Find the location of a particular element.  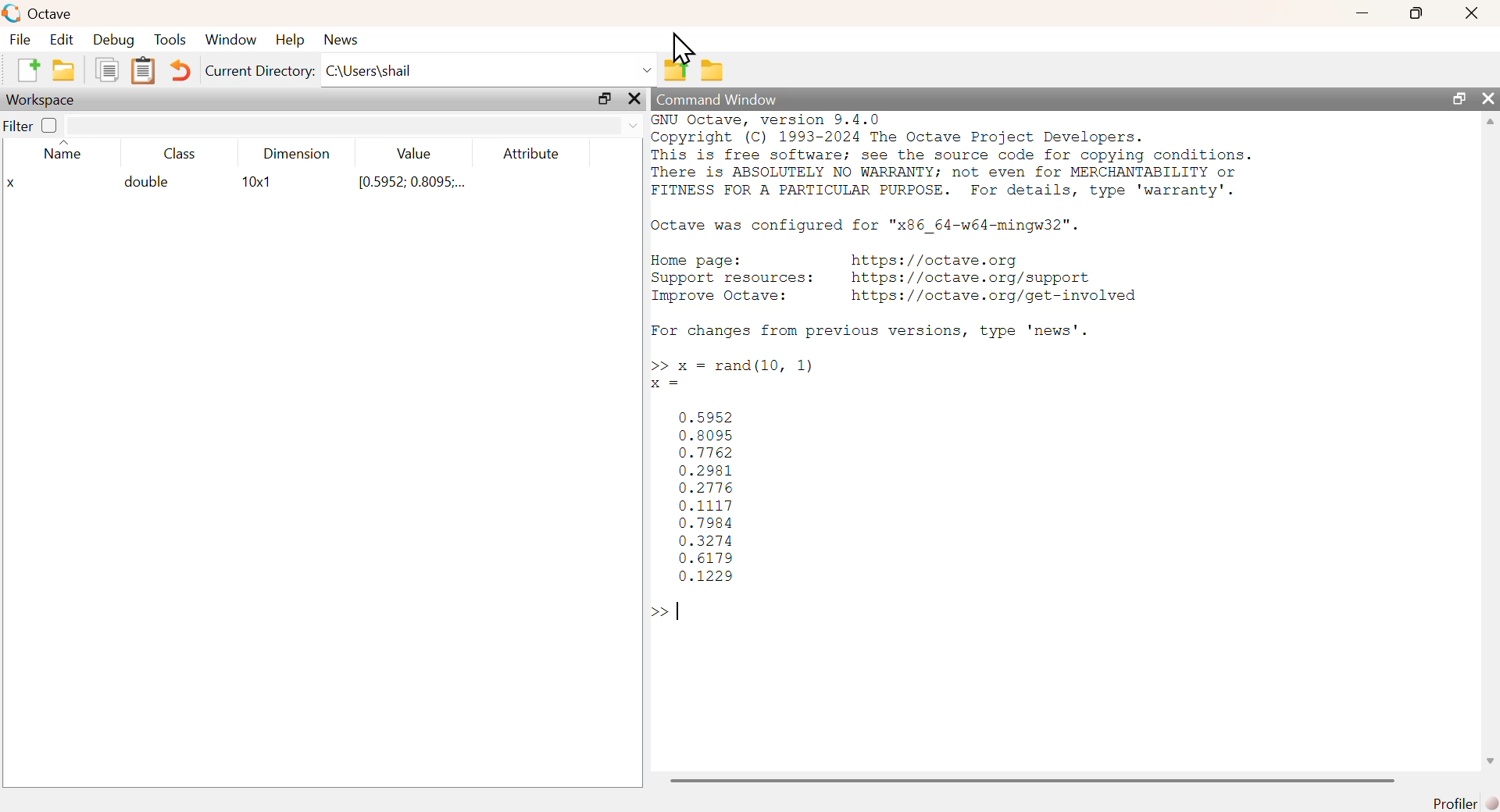

maximize is located at coordinates (1461, 99).